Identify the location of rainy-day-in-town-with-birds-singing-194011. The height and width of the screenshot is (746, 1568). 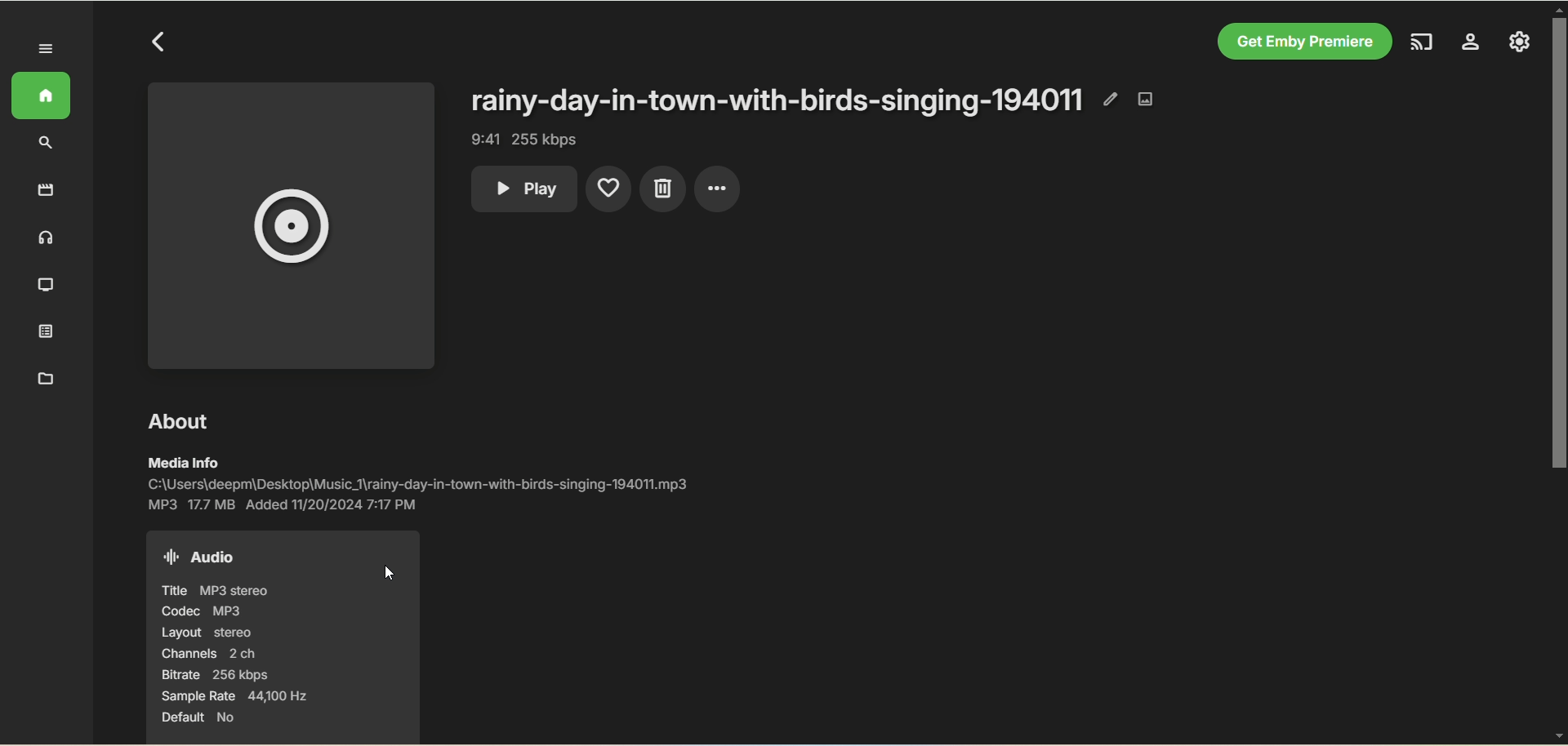
(777, 102).